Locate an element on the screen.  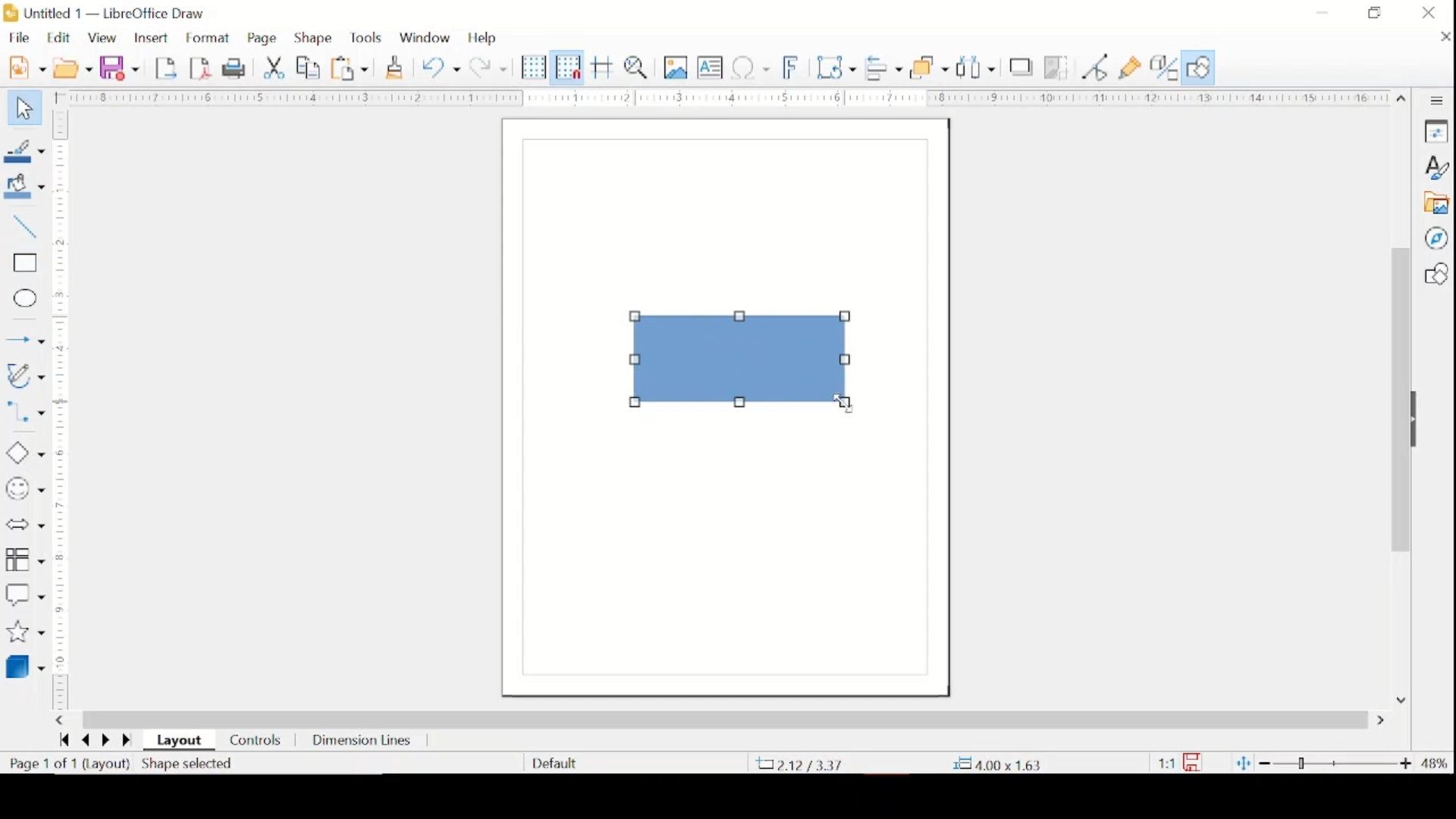
previous is located at coordinates (83, 741).